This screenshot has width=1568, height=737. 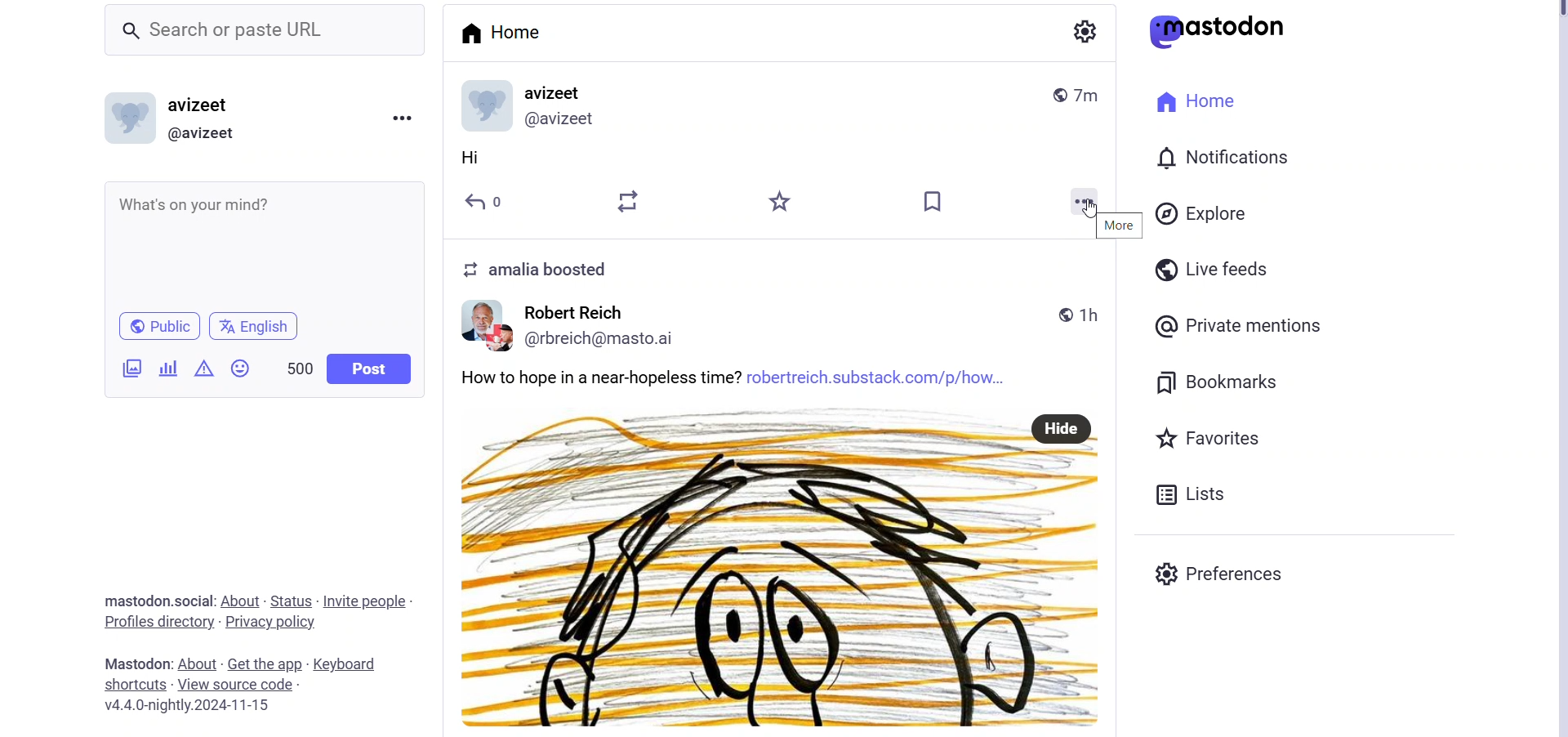 What do you see at coordinates (1204, 212) in the screenshot?
I see `Explore` at bounding box center [1204, 212].